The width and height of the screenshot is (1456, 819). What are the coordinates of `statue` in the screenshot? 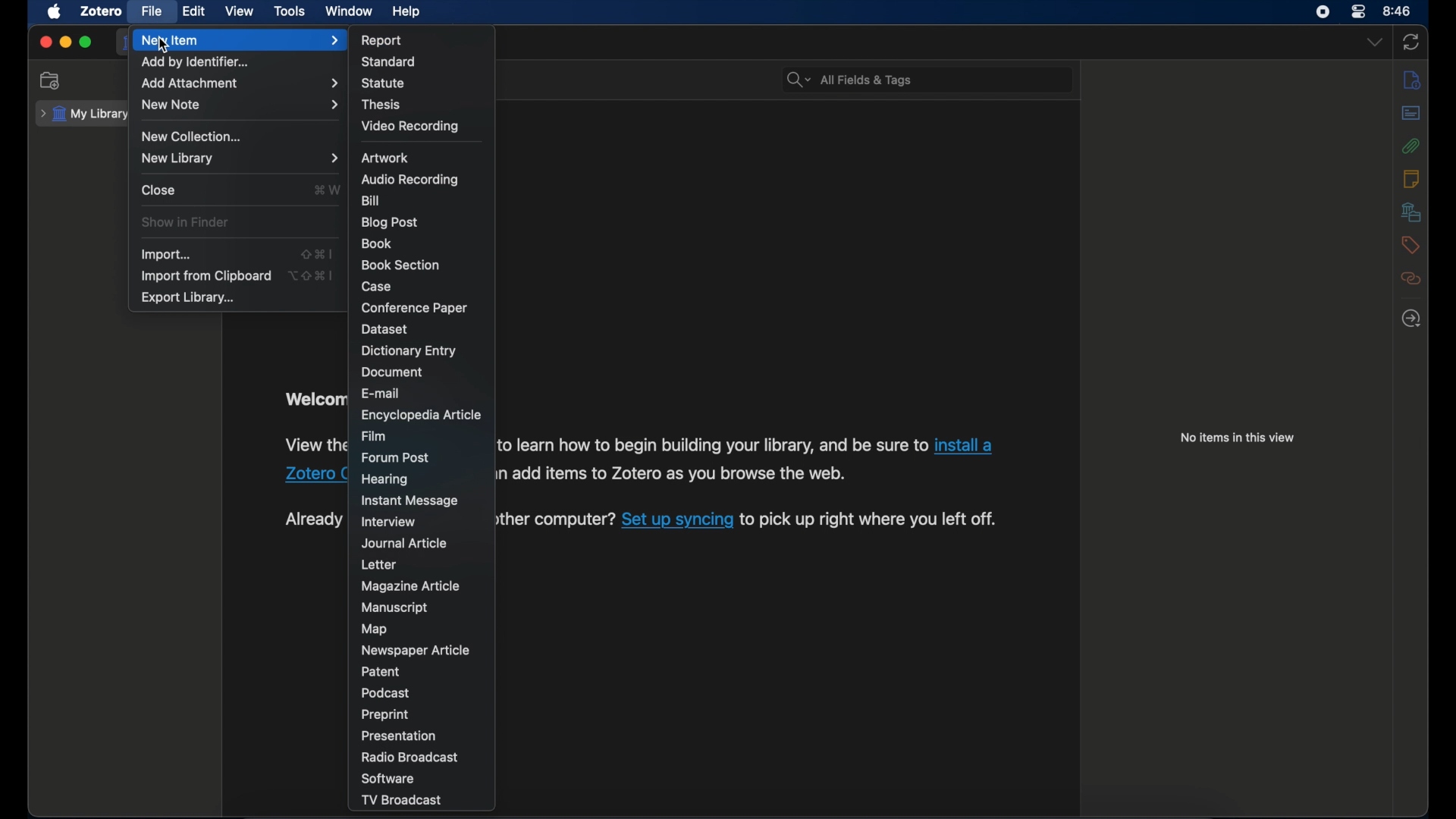 It's located at (383, 83).